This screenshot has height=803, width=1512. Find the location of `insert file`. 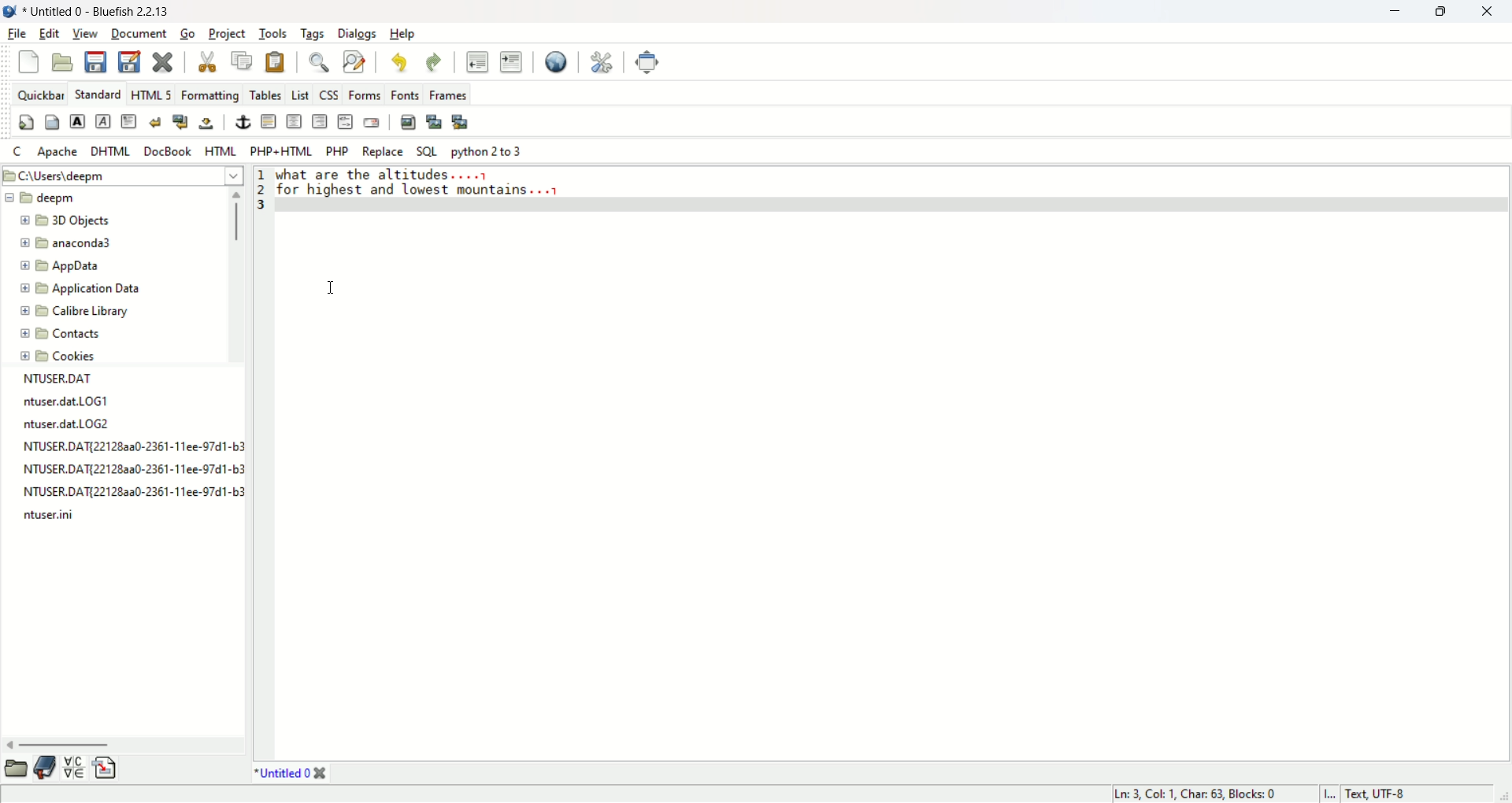

insert file is located at coordinates (109, 768).